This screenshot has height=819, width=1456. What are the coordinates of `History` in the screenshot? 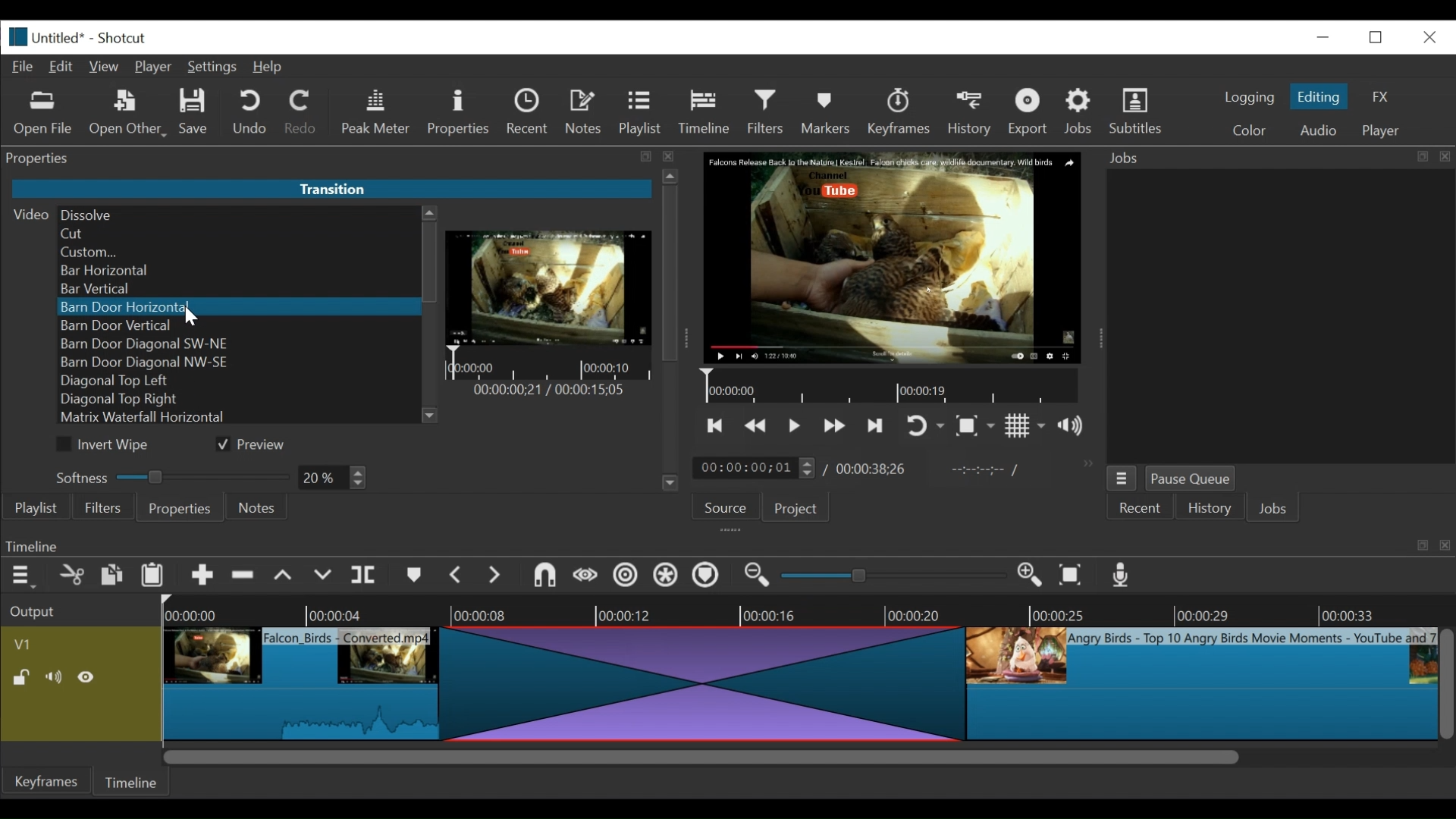 It's located at (972, 111).